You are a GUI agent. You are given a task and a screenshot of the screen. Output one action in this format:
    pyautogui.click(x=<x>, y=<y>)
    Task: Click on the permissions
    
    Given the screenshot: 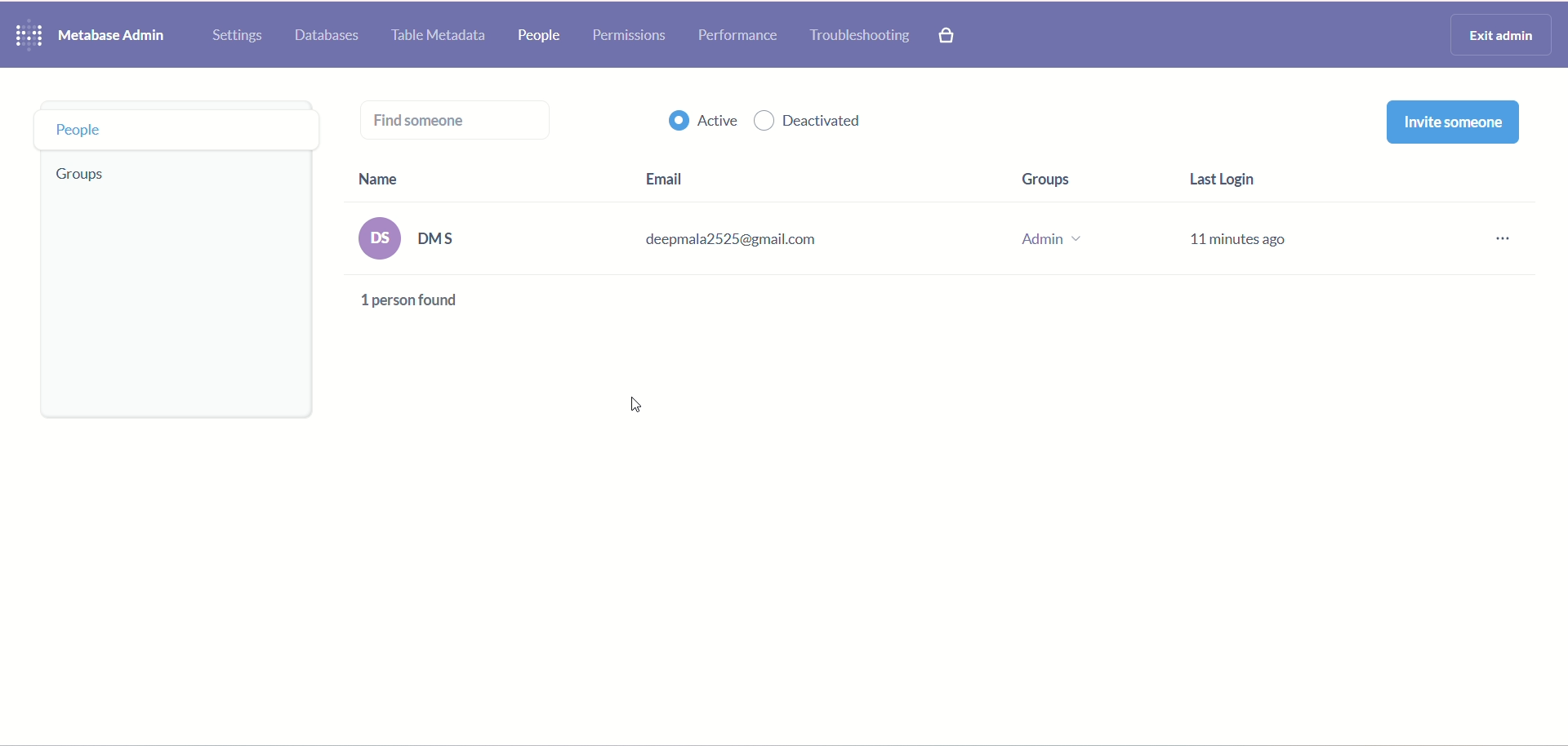 What is the action you would take?
    pyautogui.click(x=630, y=37)
    